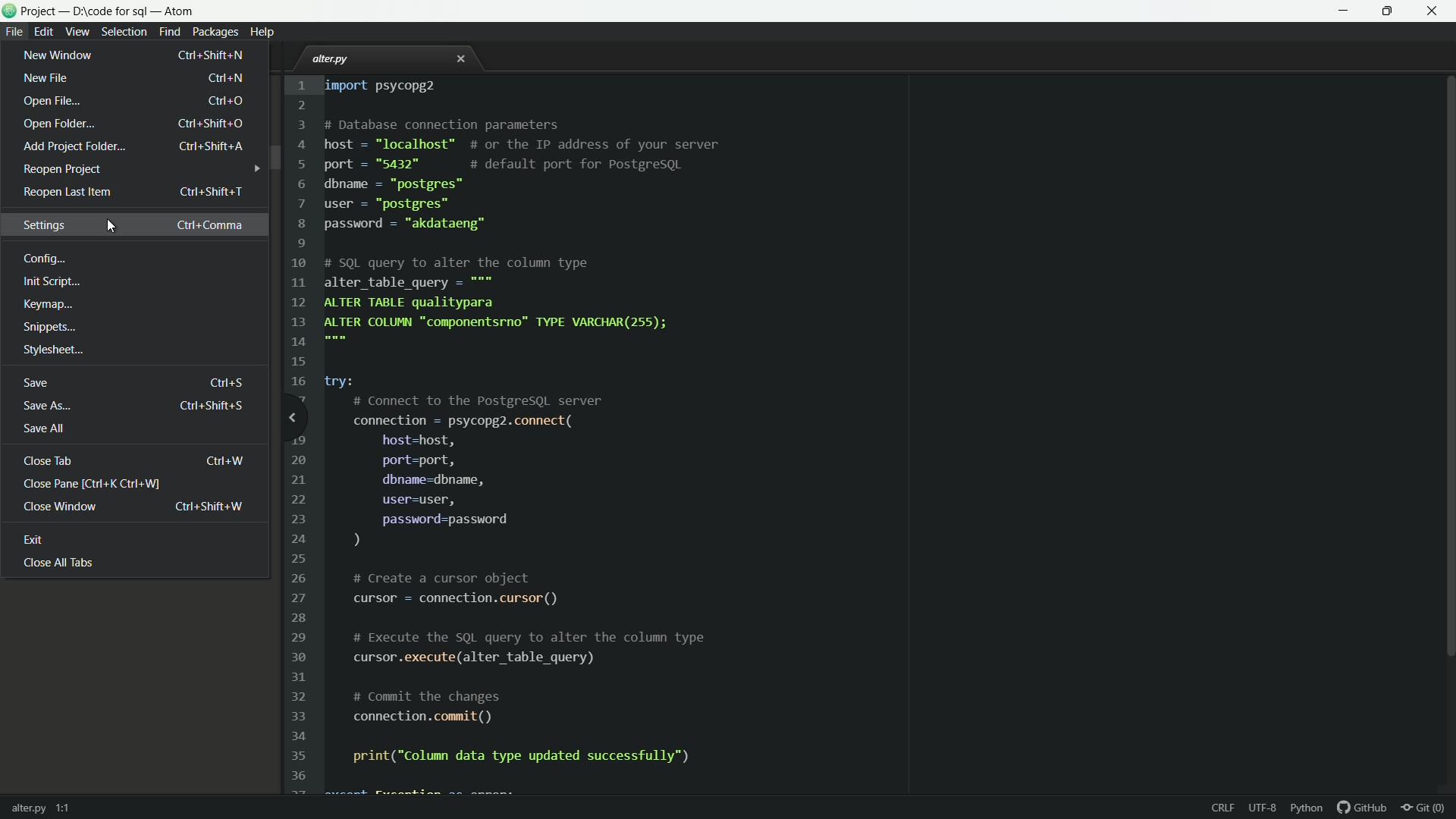 The height and width of the screenshot is (819, 1456). What do you see at coordinates (133, 406) in the screenshot?
I see `save as` at bounding box center [133, 406].